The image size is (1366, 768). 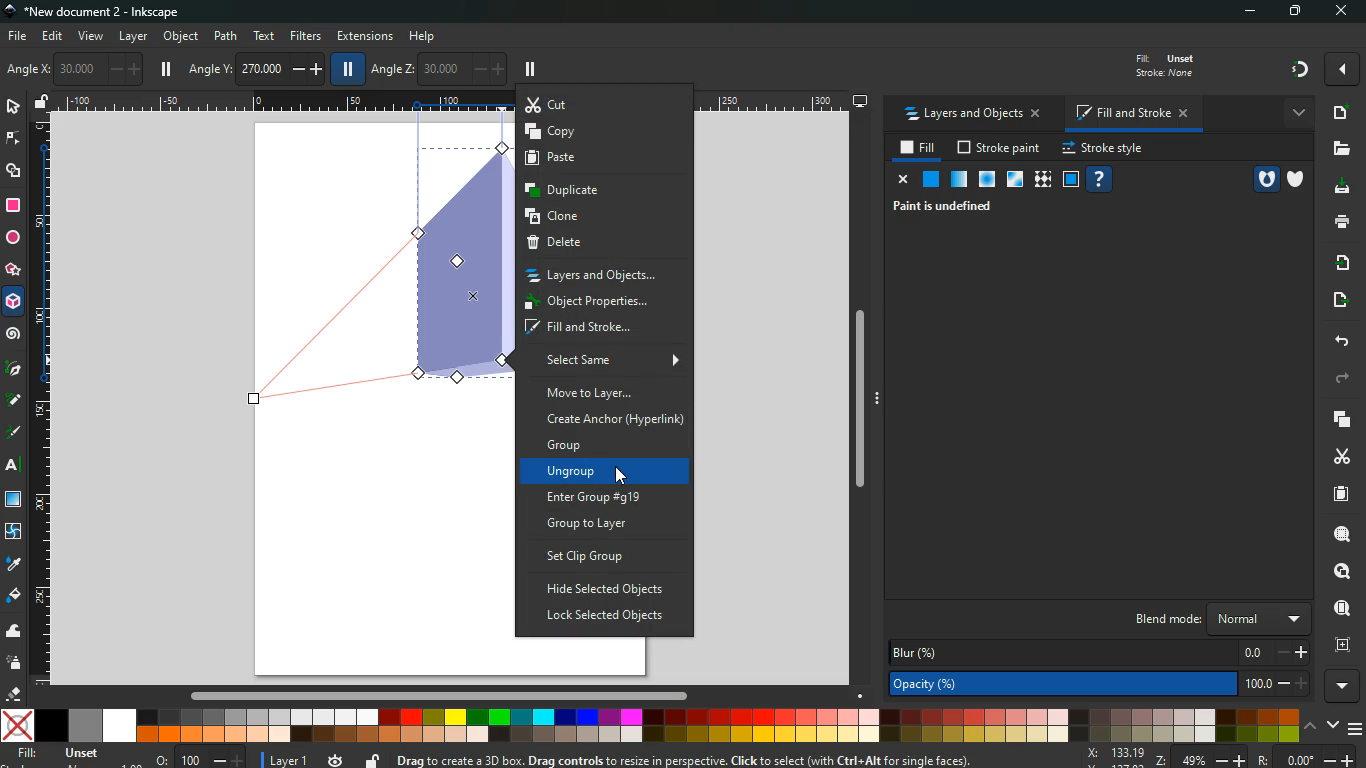 I want to click on select same, so click(x=609, y=361).